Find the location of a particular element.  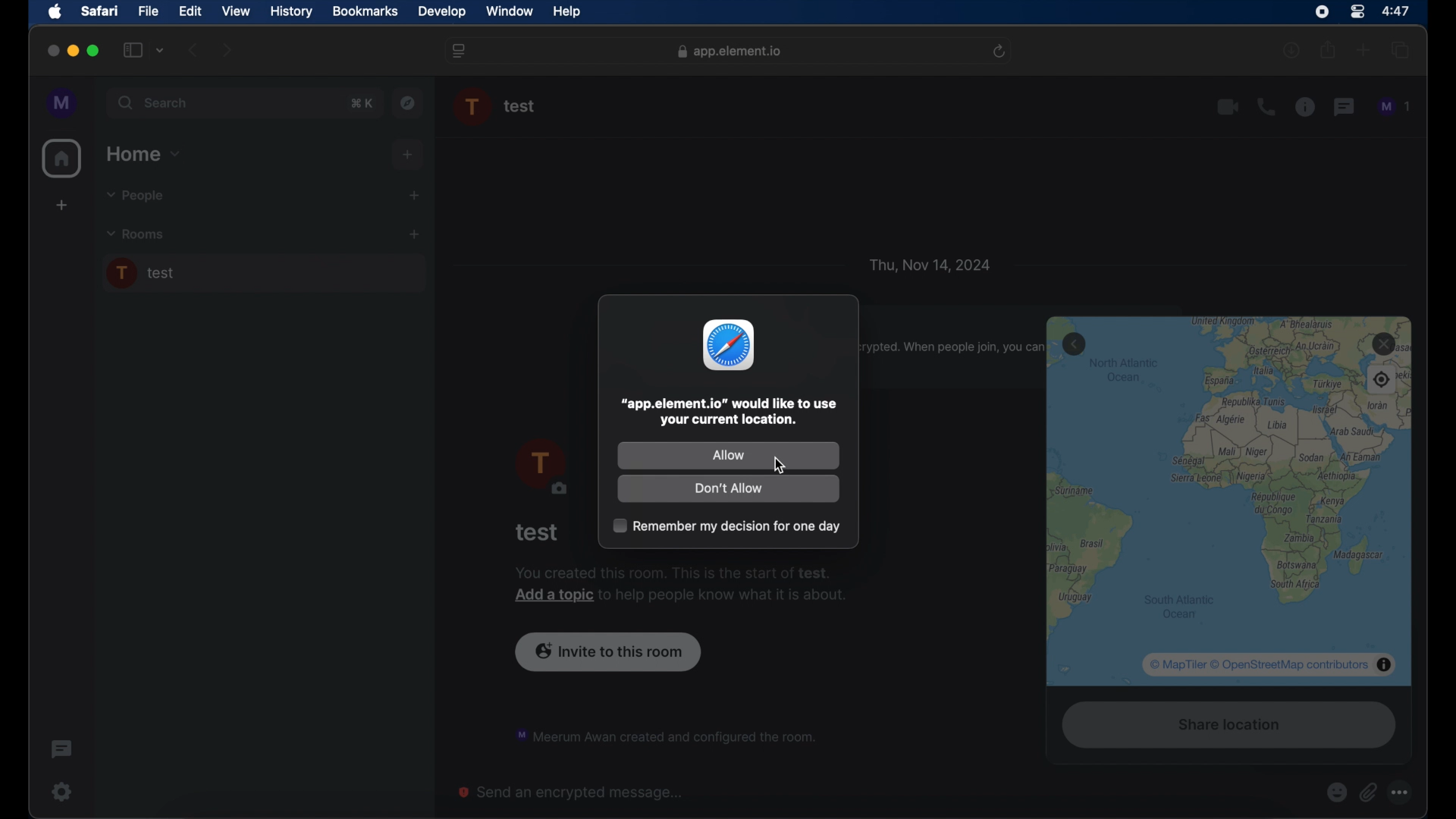

chat properties is located at coordinates (1305, 108).